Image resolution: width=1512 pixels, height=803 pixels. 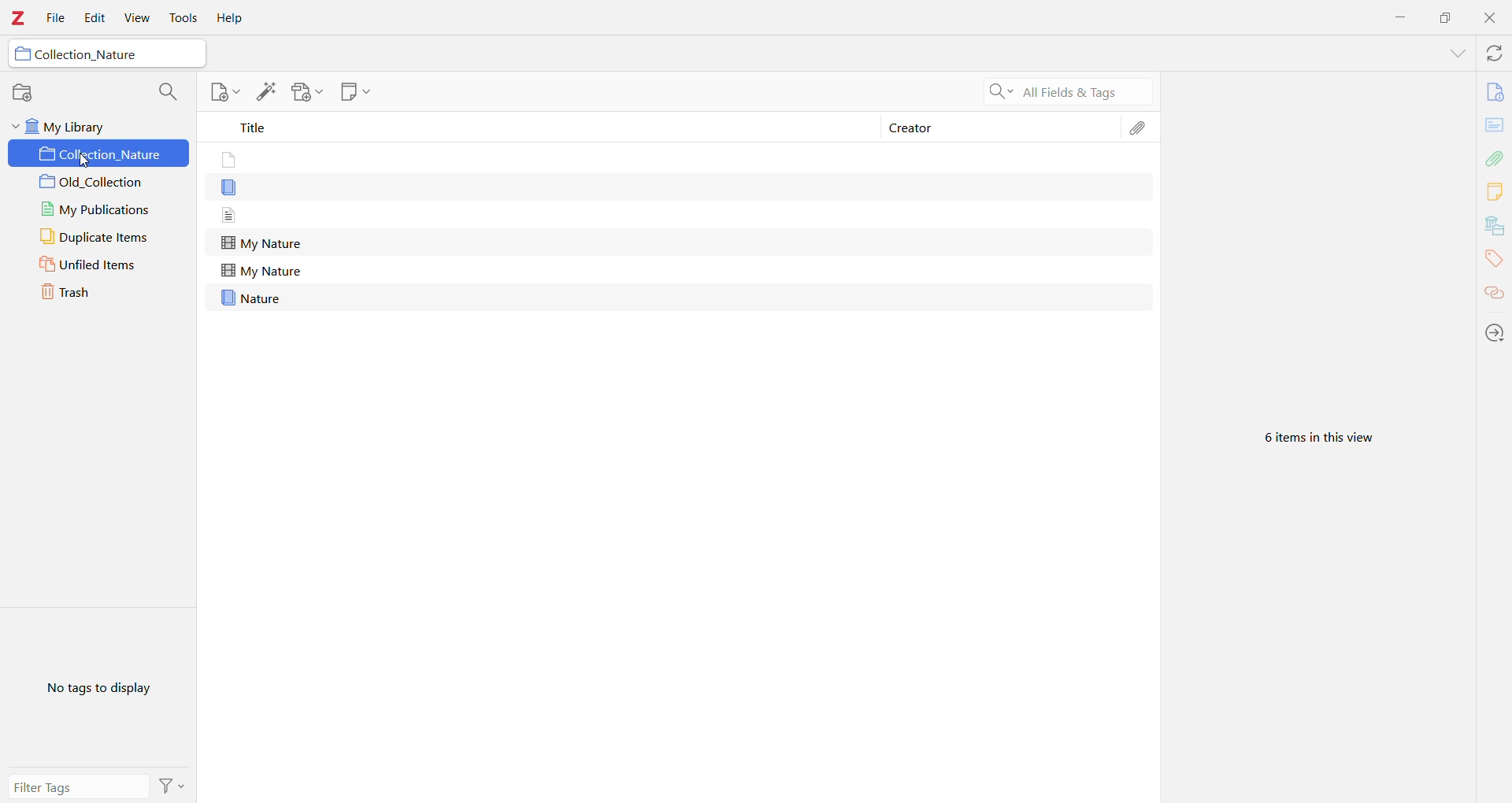 I want to click on Tags, so click(x=1493, y=261).